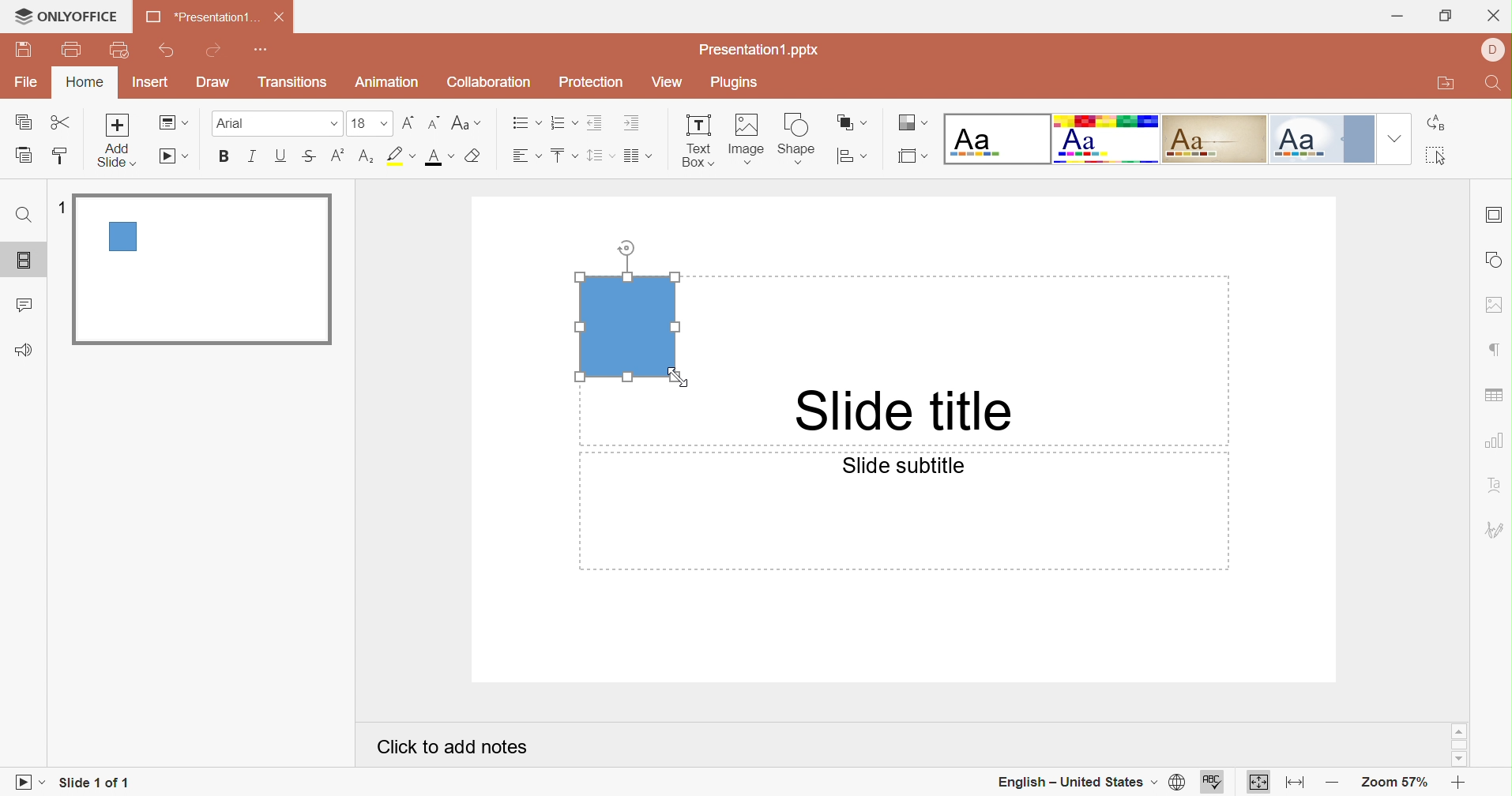 Image resolution: width=1512 pixels, height=796 pixels. What do you see at coordinates (486, 83) in the screenshot?
I see `Collaboration` at bounding box center [486, 83].